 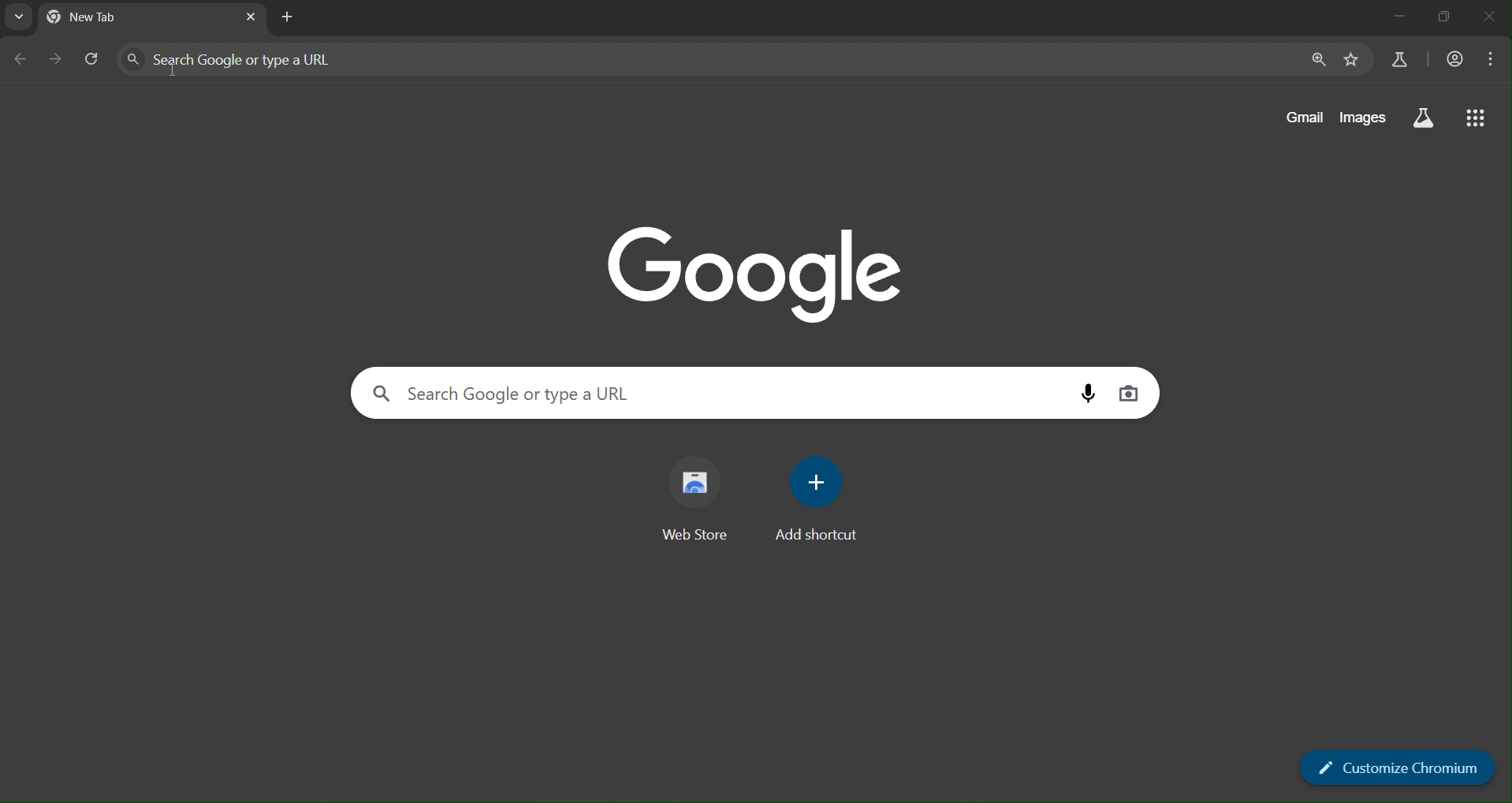 What do you see at coordinates (1316, 60) in the screenshot?
I see `zoom ` at bounding box center [1316, 60].